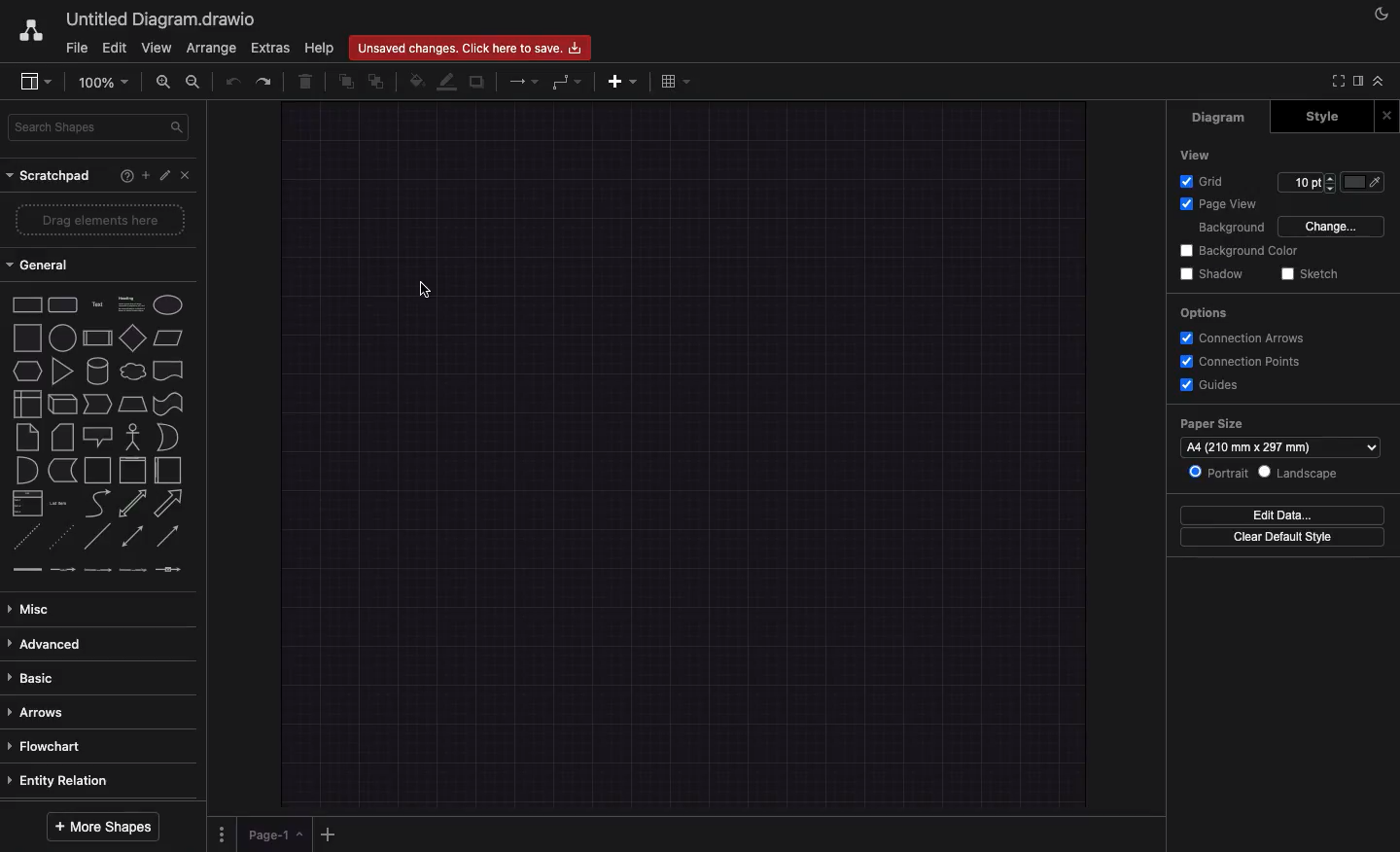 Image resolution: width=1400 pixels, height=852 pixels. Describe the element at coordinates (133, 373) in the screenshot. I see `cloud` at that location.